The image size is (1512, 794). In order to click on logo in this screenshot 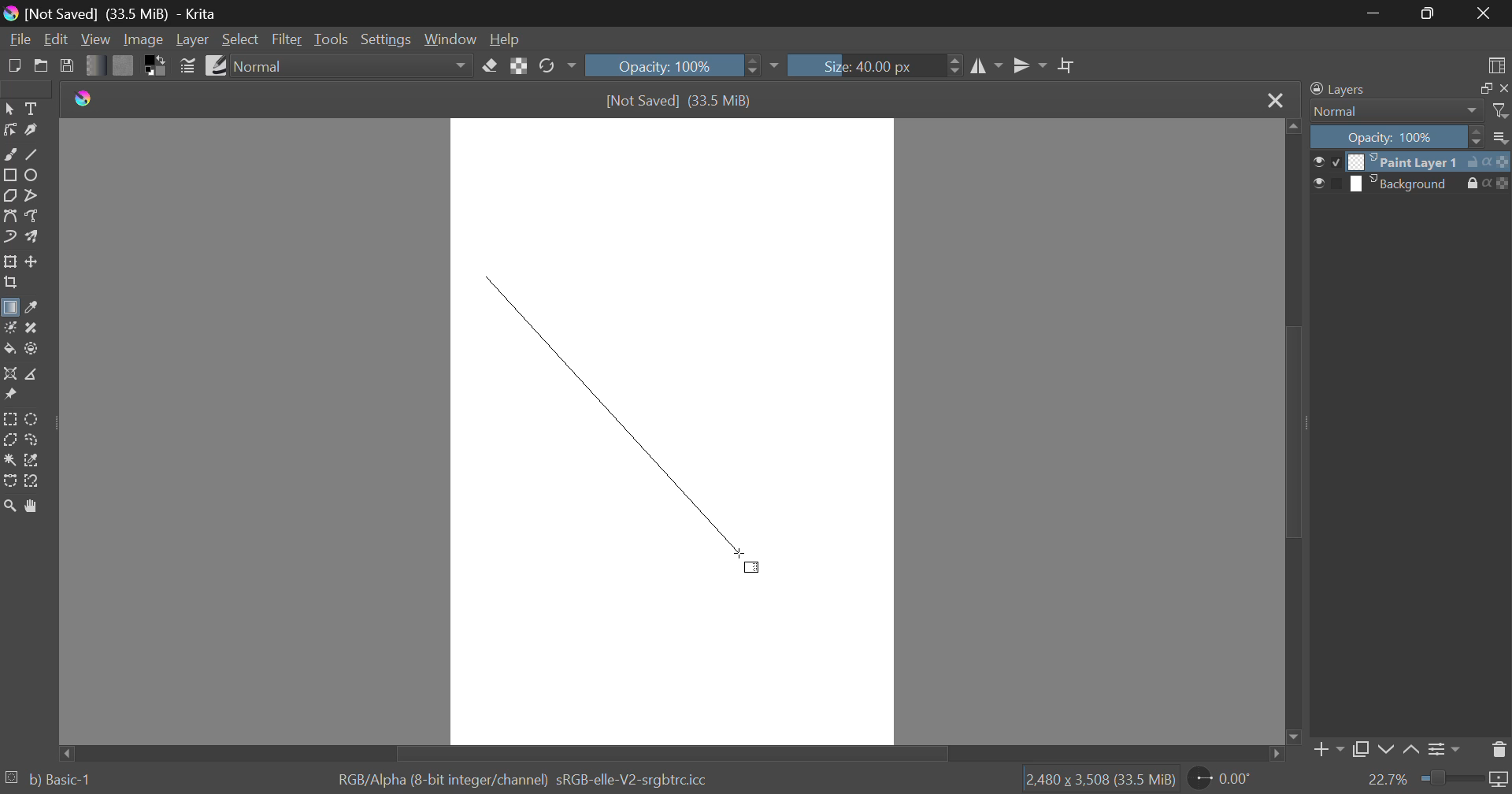, I will do `click(88, 99)`.